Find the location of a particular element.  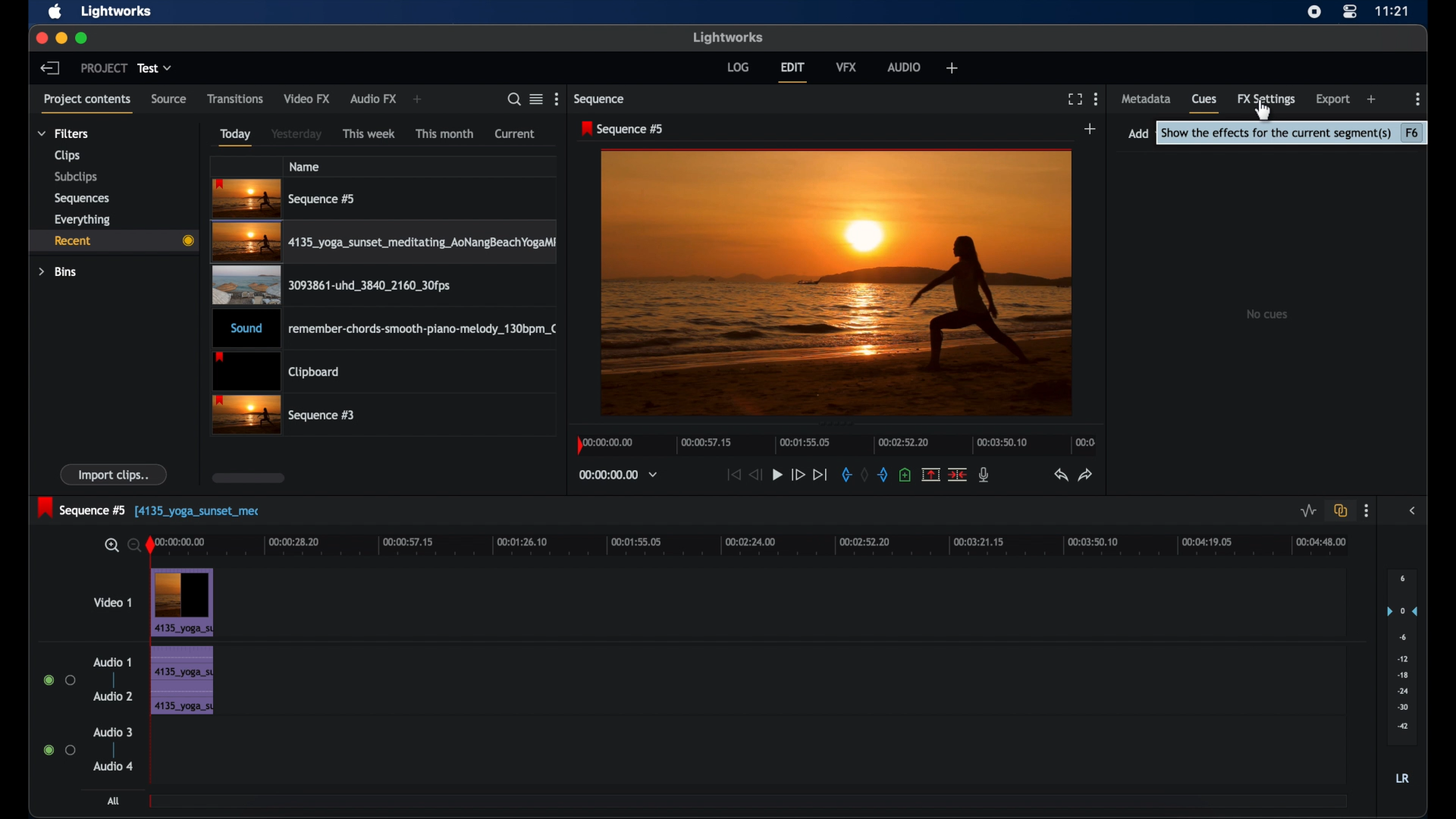

radio button is located at coordinates (59, 749).